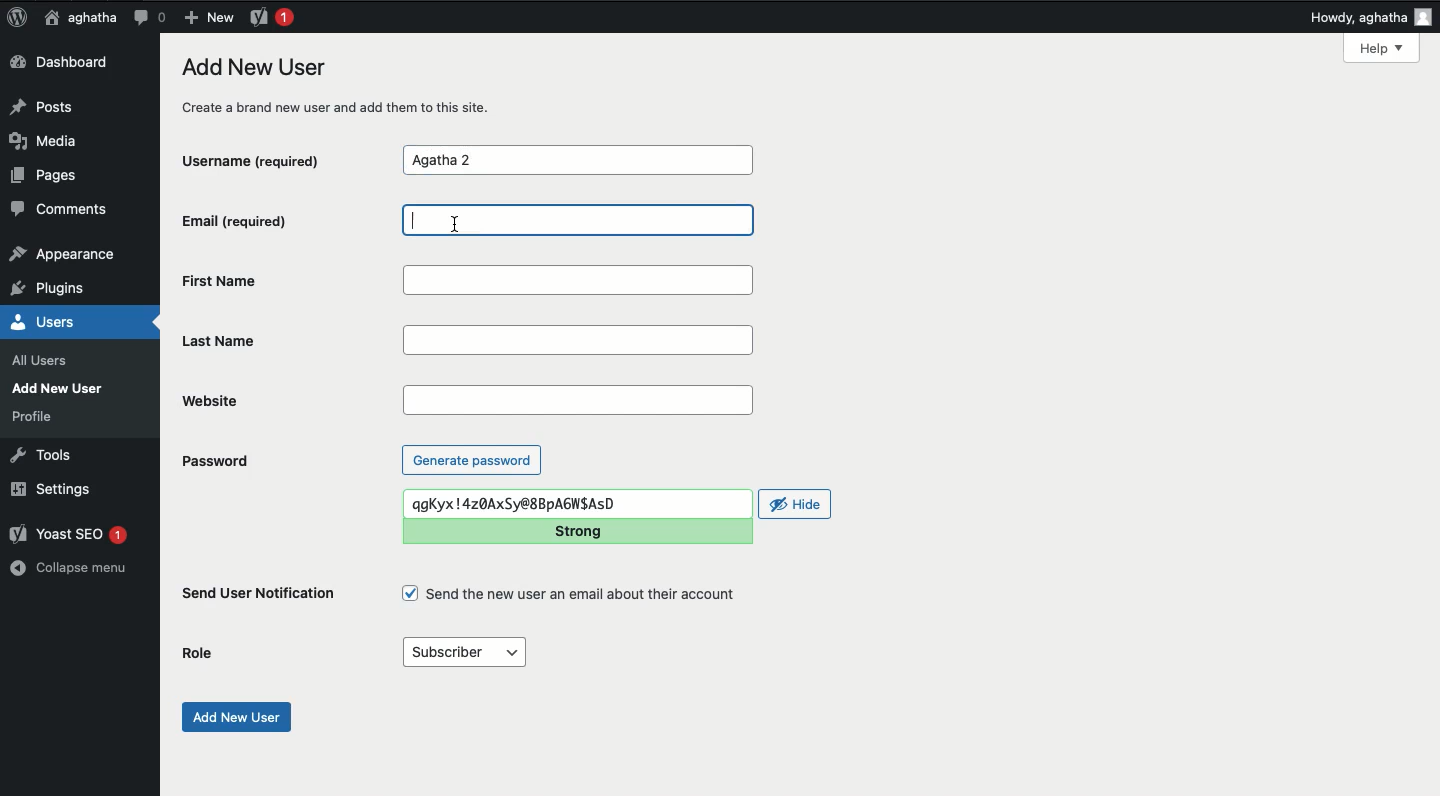  What do you see at coordinates (50, 179) in the screenshot?
I see `Pages` at bounding box center [50, 179].